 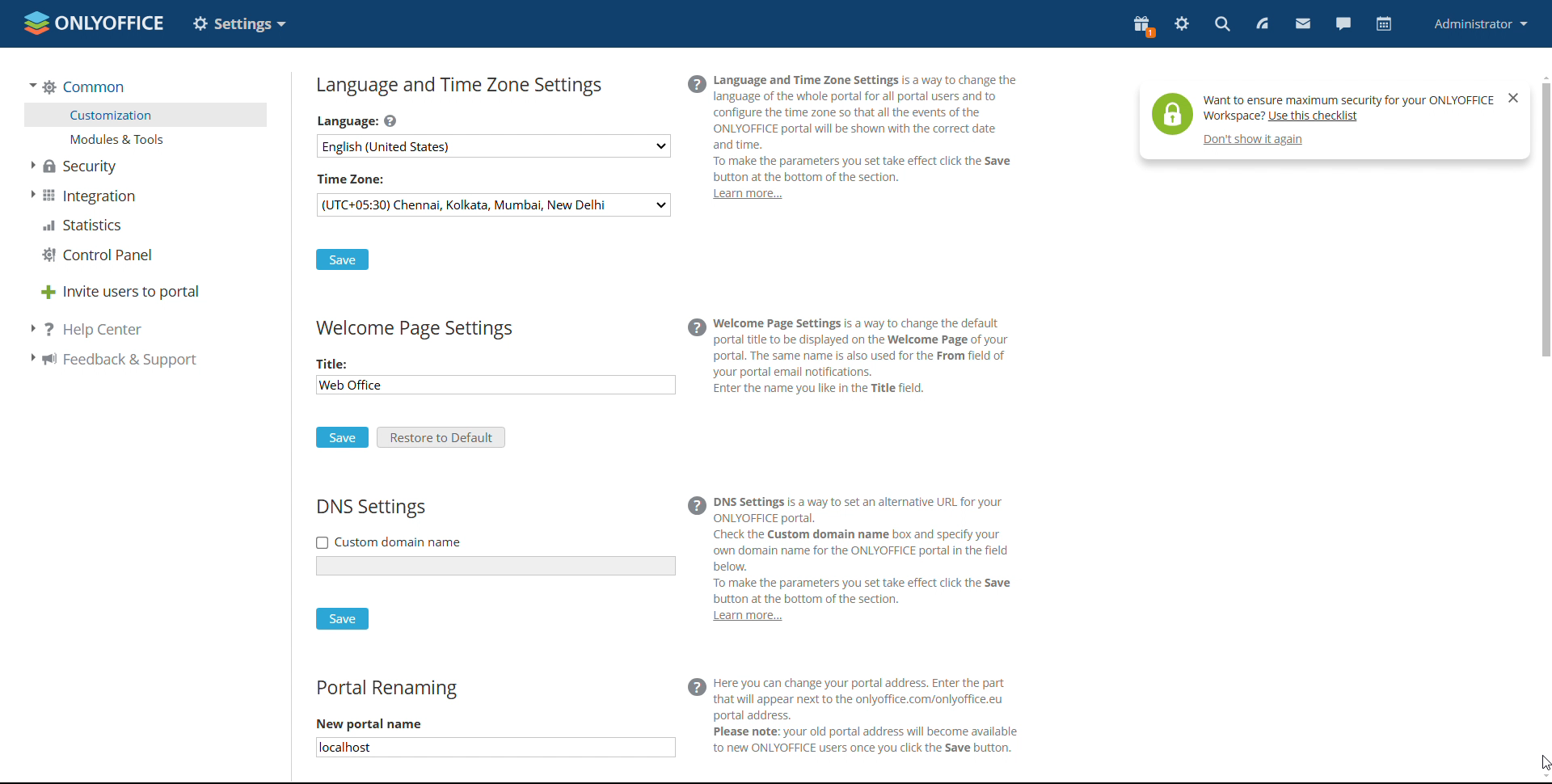 What do you see at coordinates (86, 329) in the screenshot?
I see `help center` at bounding box center [86, 329].